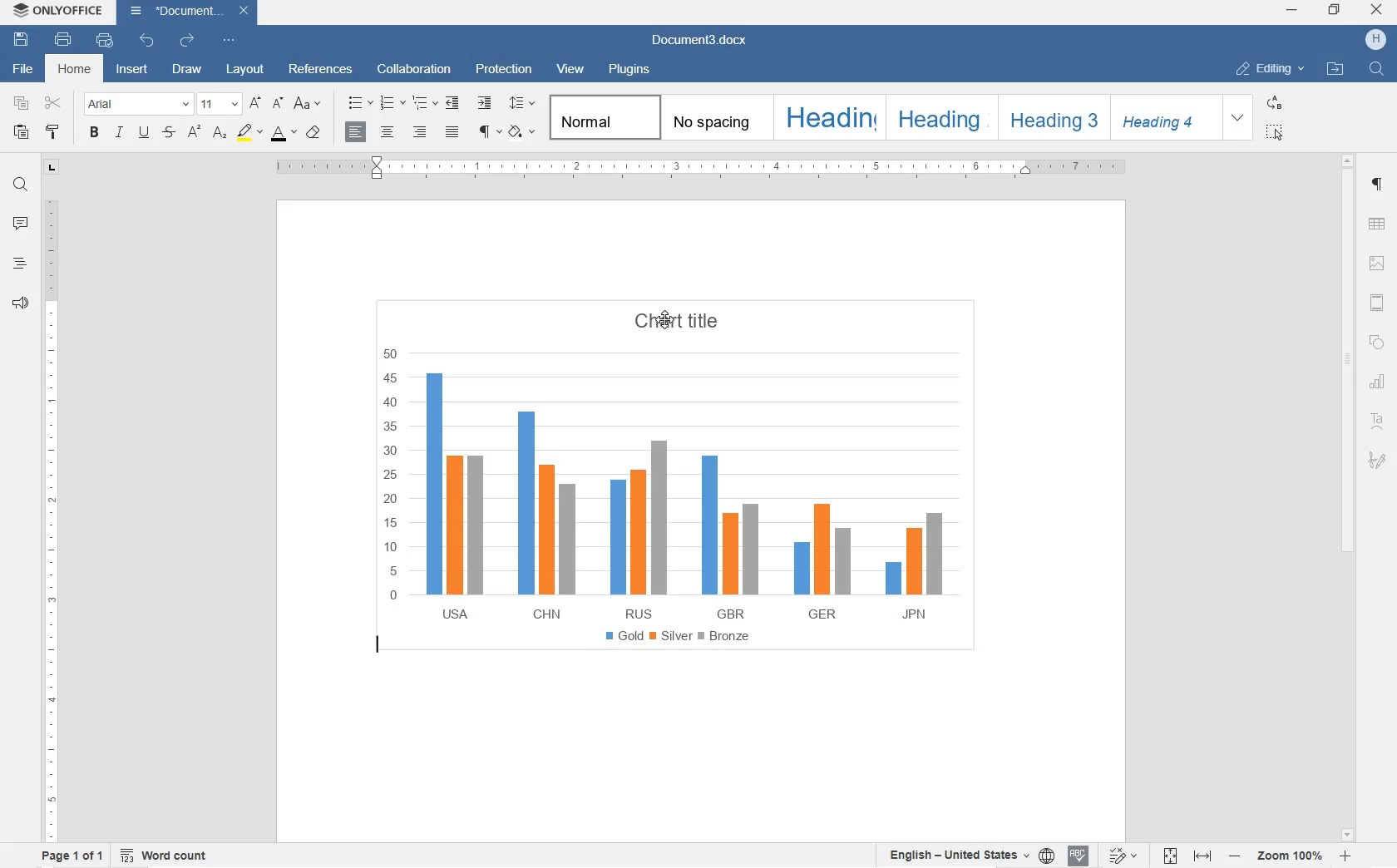 This screenshot has height=868, width=1397. What do you see at coordinates (1186, 855) in the screenshot?
I see `FIT TO PAGE OR WIDTH` at bounding box center [1186, 855].